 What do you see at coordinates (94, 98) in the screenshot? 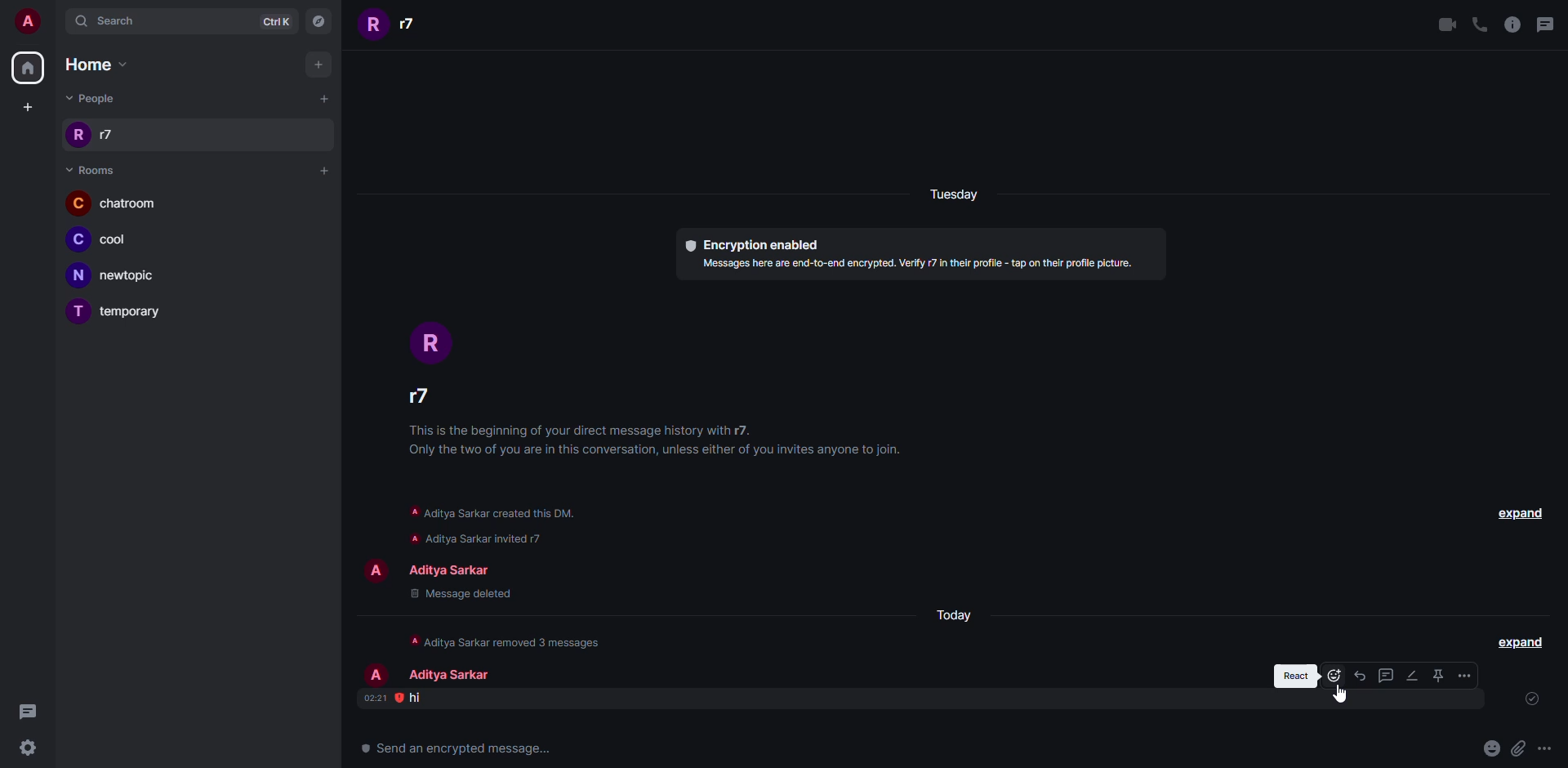
I see `people` at bounding box center [94, 98].